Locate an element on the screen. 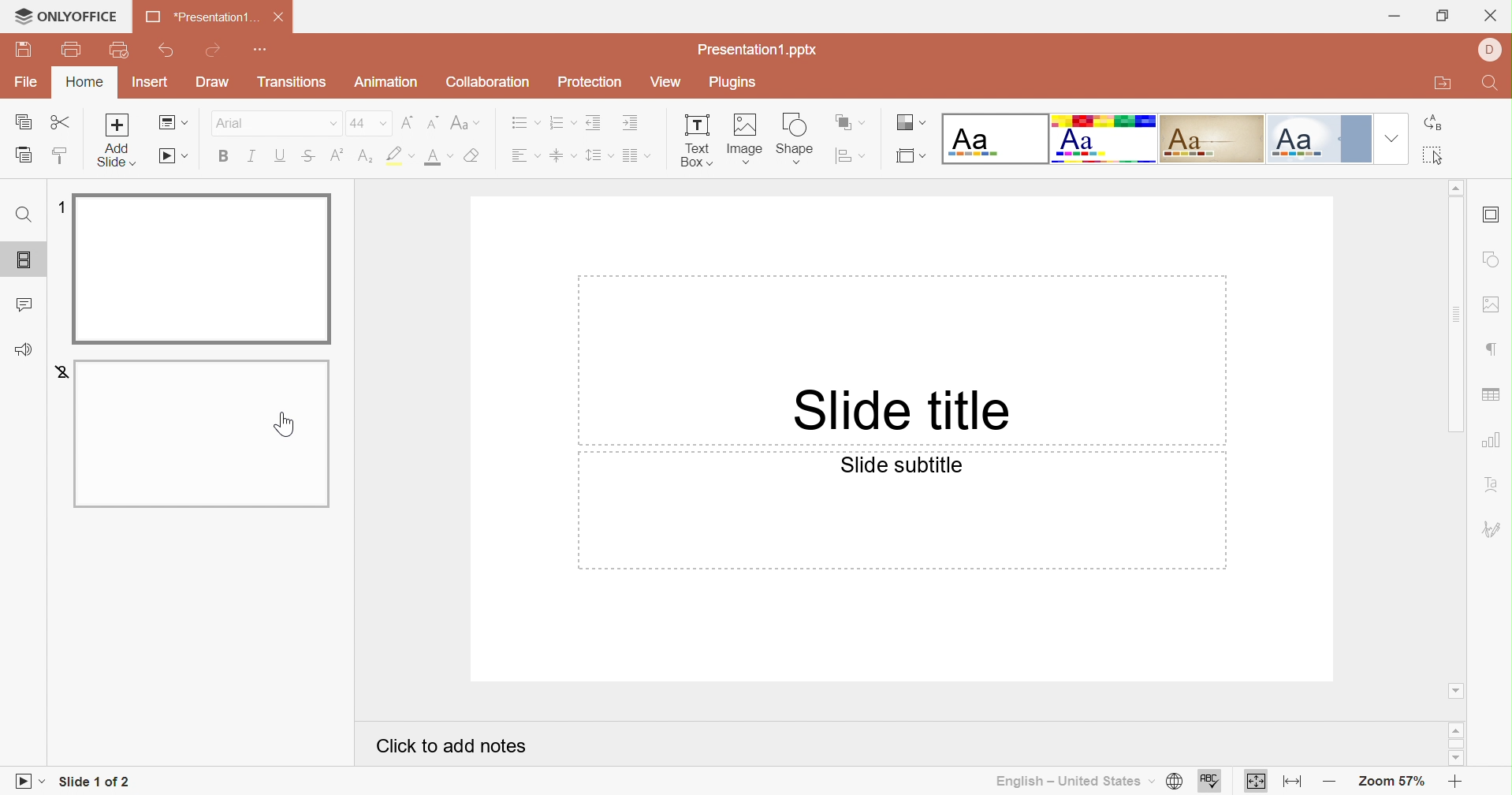 The image size is (1512, 795). View is located at coordinates (664, 82).